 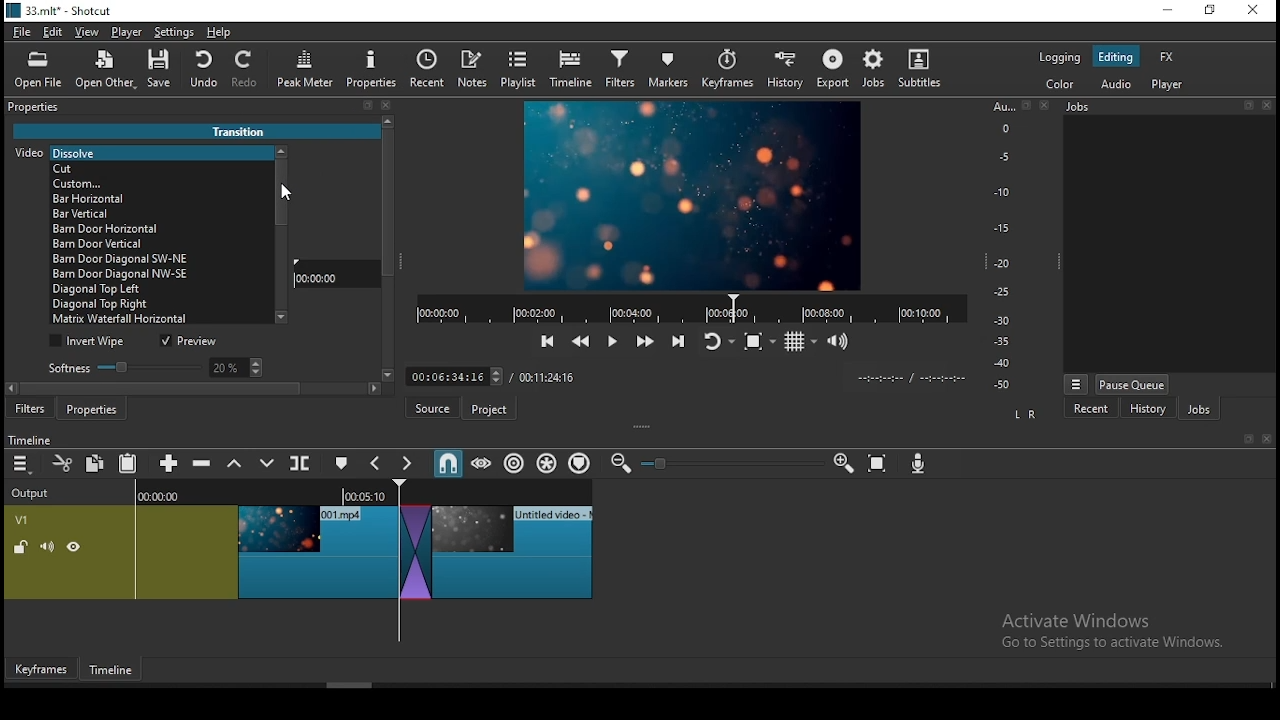 I want to click on Project, so click(x=492, y=409).